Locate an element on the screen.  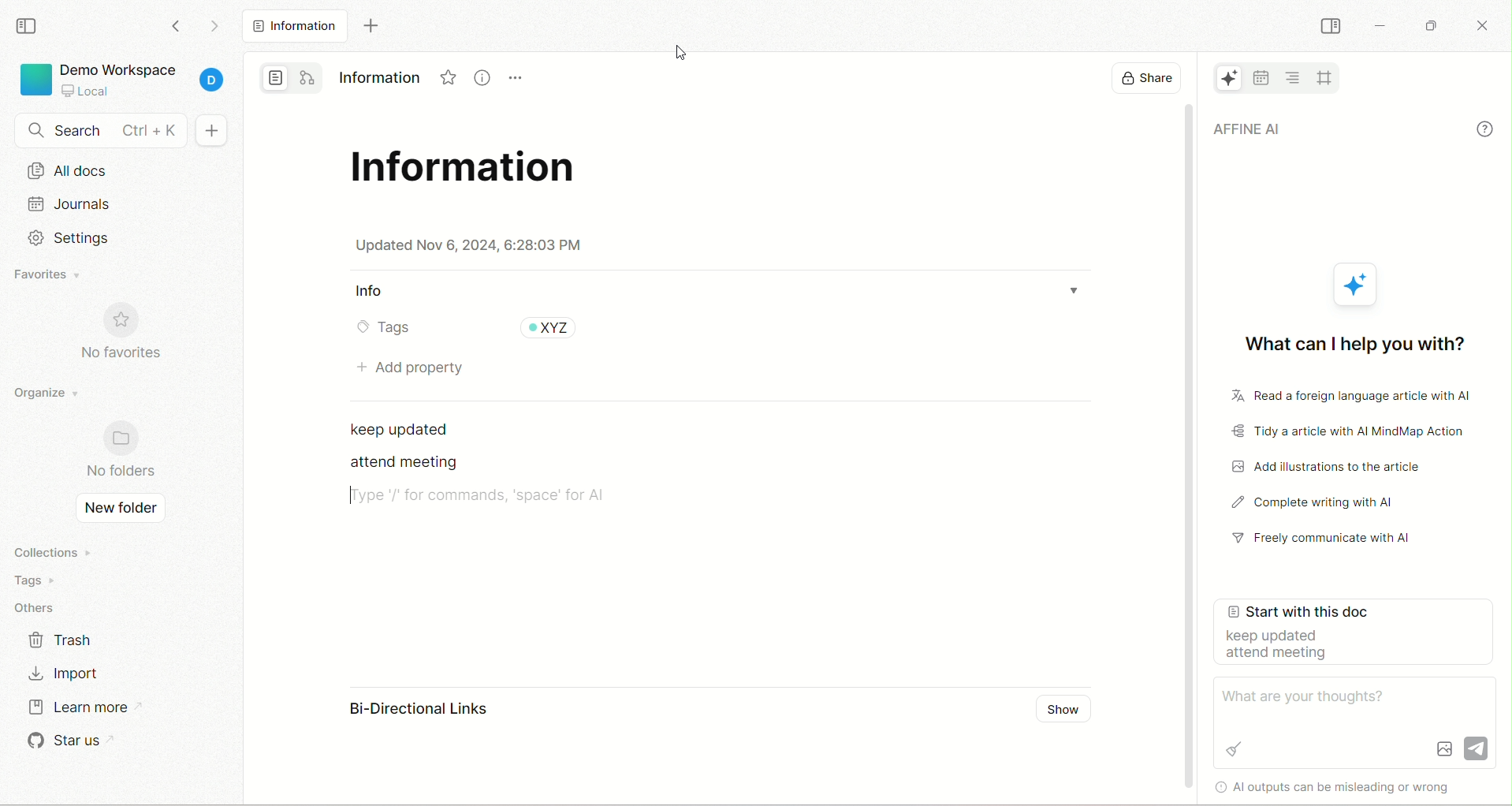
go forward is located at coordinates (210, 27).